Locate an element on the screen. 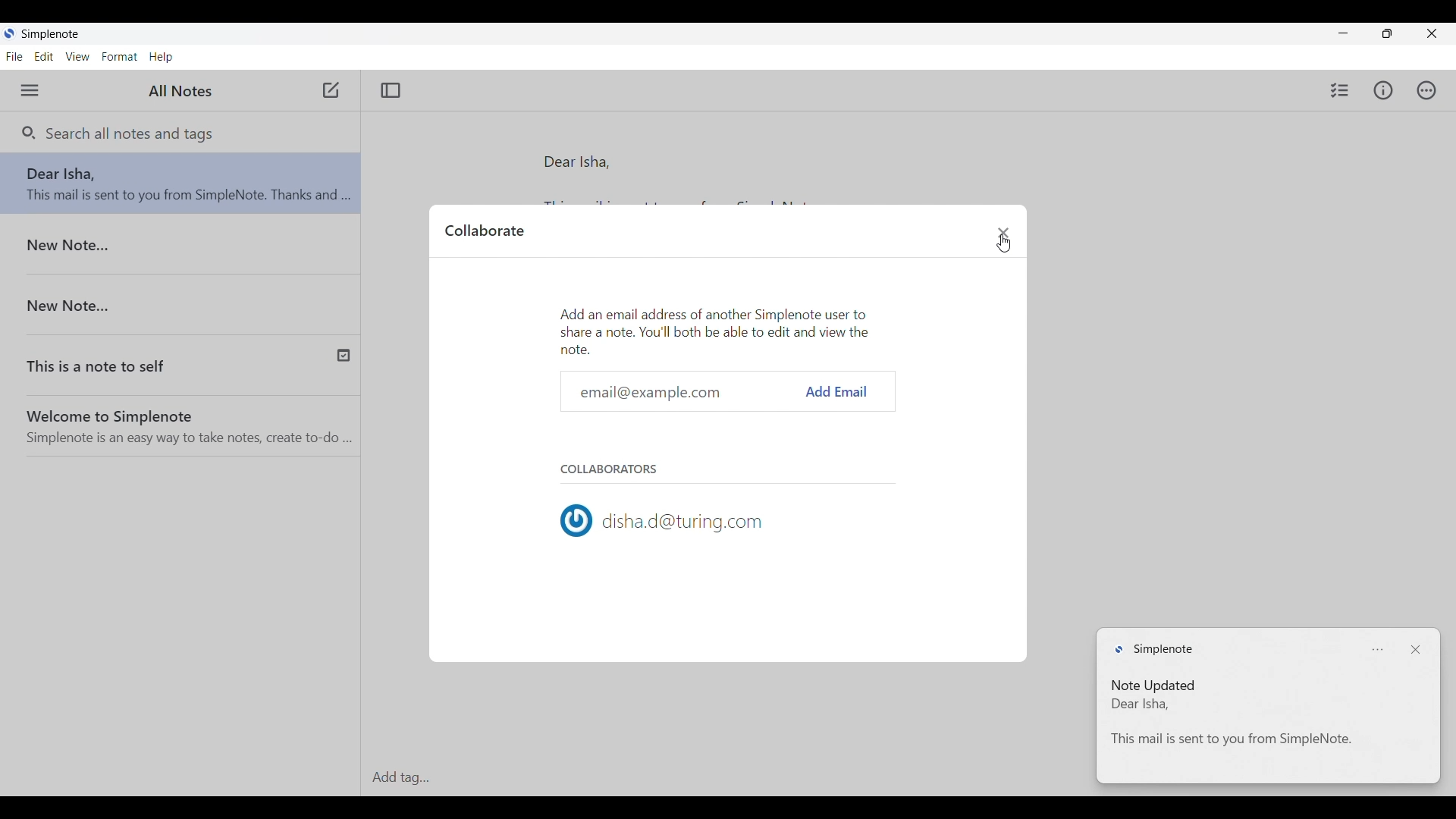 The width and height of the screenshot is (1456, 819). Format is located at coordinates (120, 57).